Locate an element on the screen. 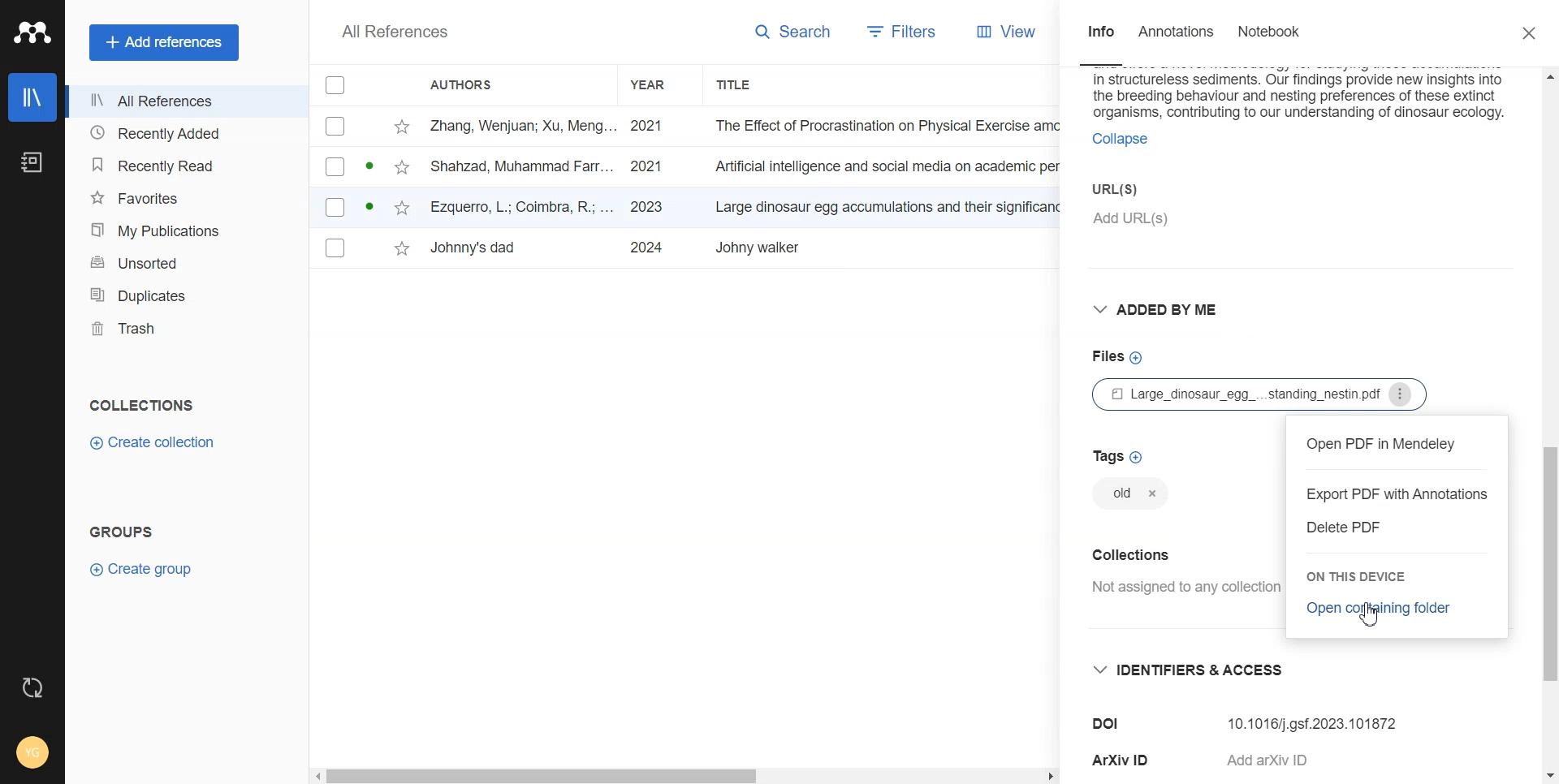  Open containing folder is located at coordinates (1383, 608).